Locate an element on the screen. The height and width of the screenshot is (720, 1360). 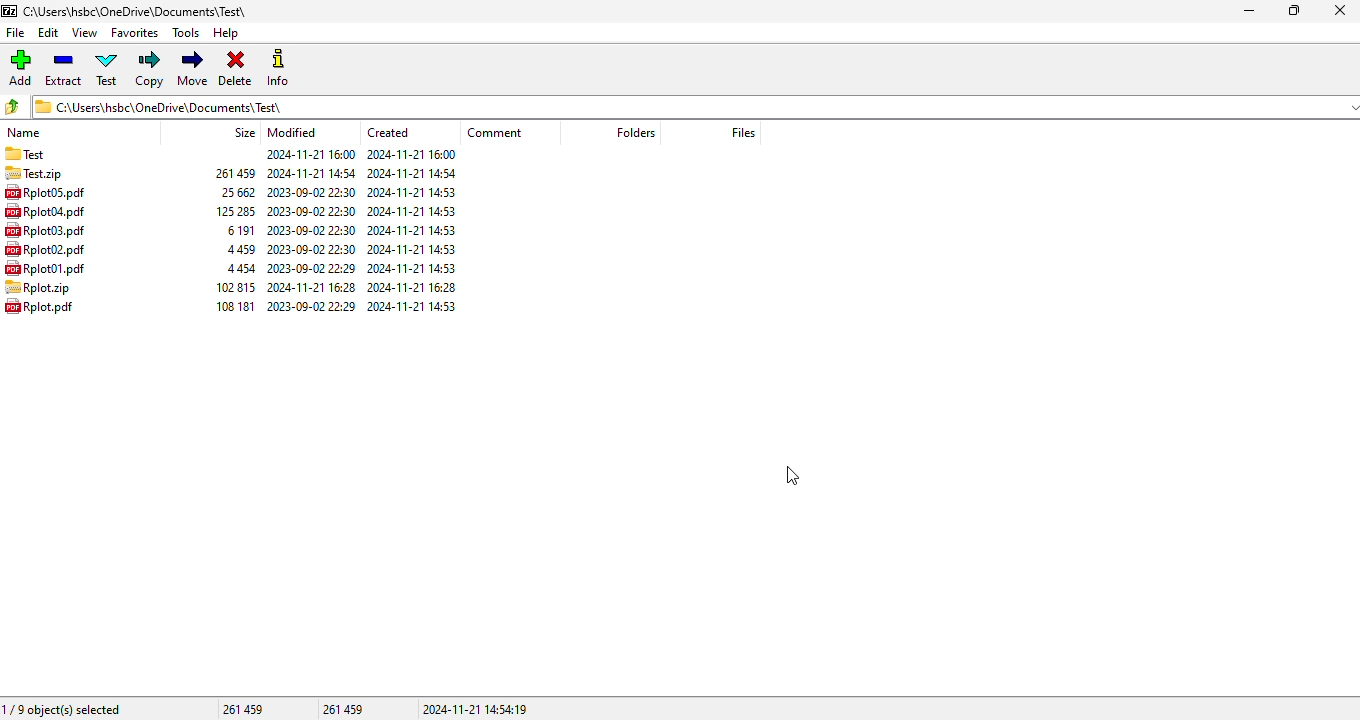
current folder is located at coordinates (694, 107).